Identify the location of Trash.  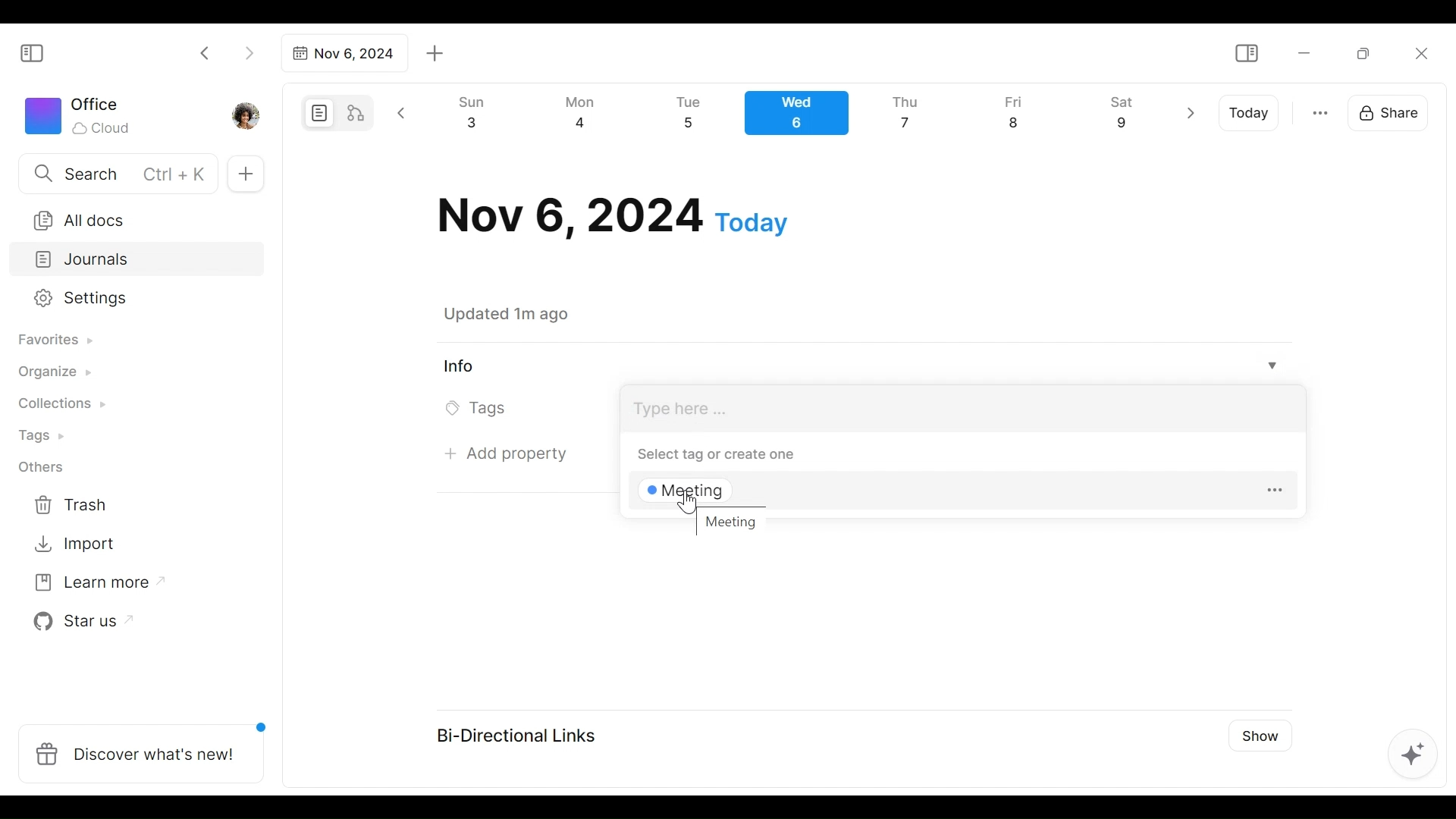
(72, 505).